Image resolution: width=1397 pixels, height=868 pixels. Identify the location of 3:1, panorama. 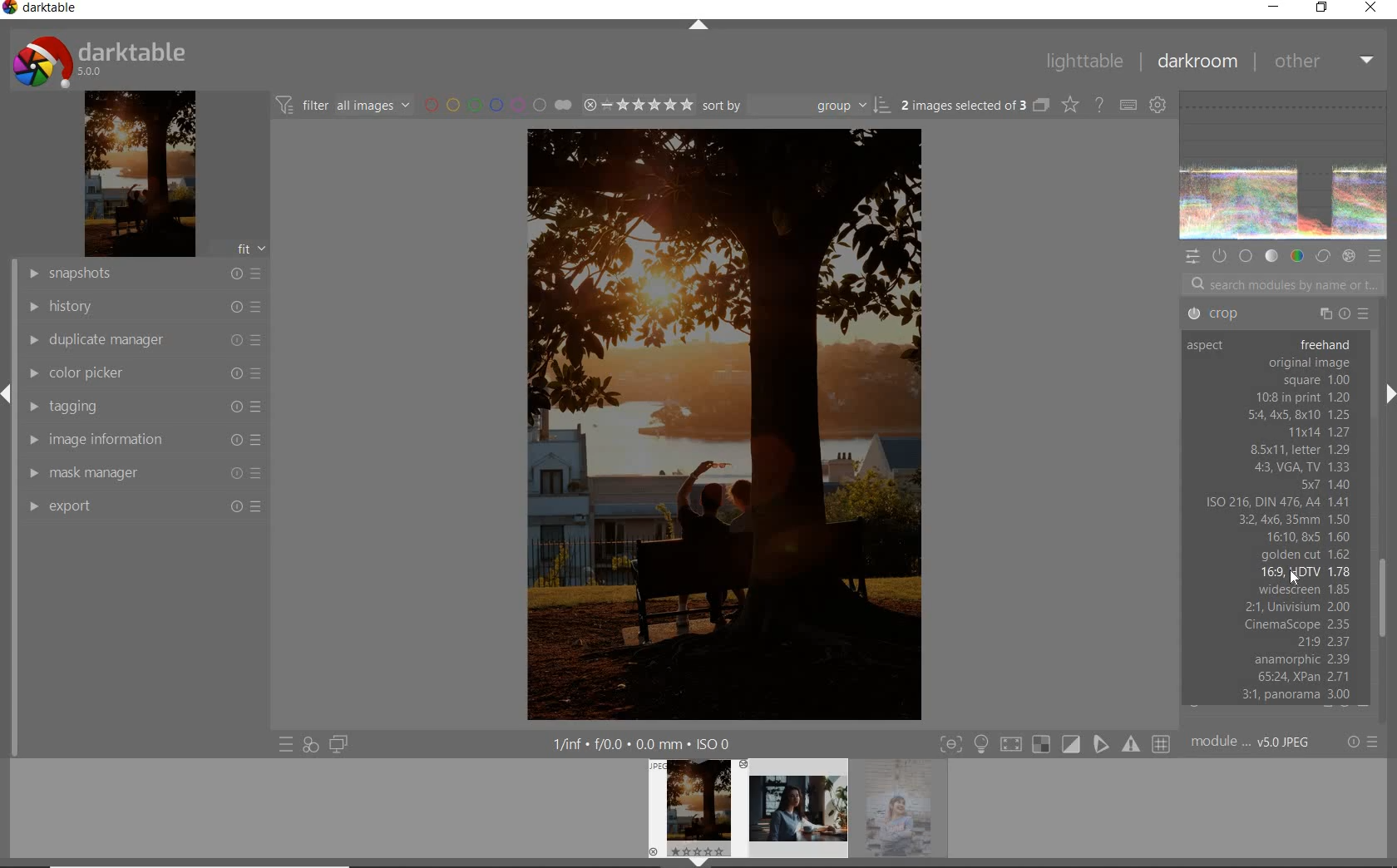
(1275, 695).